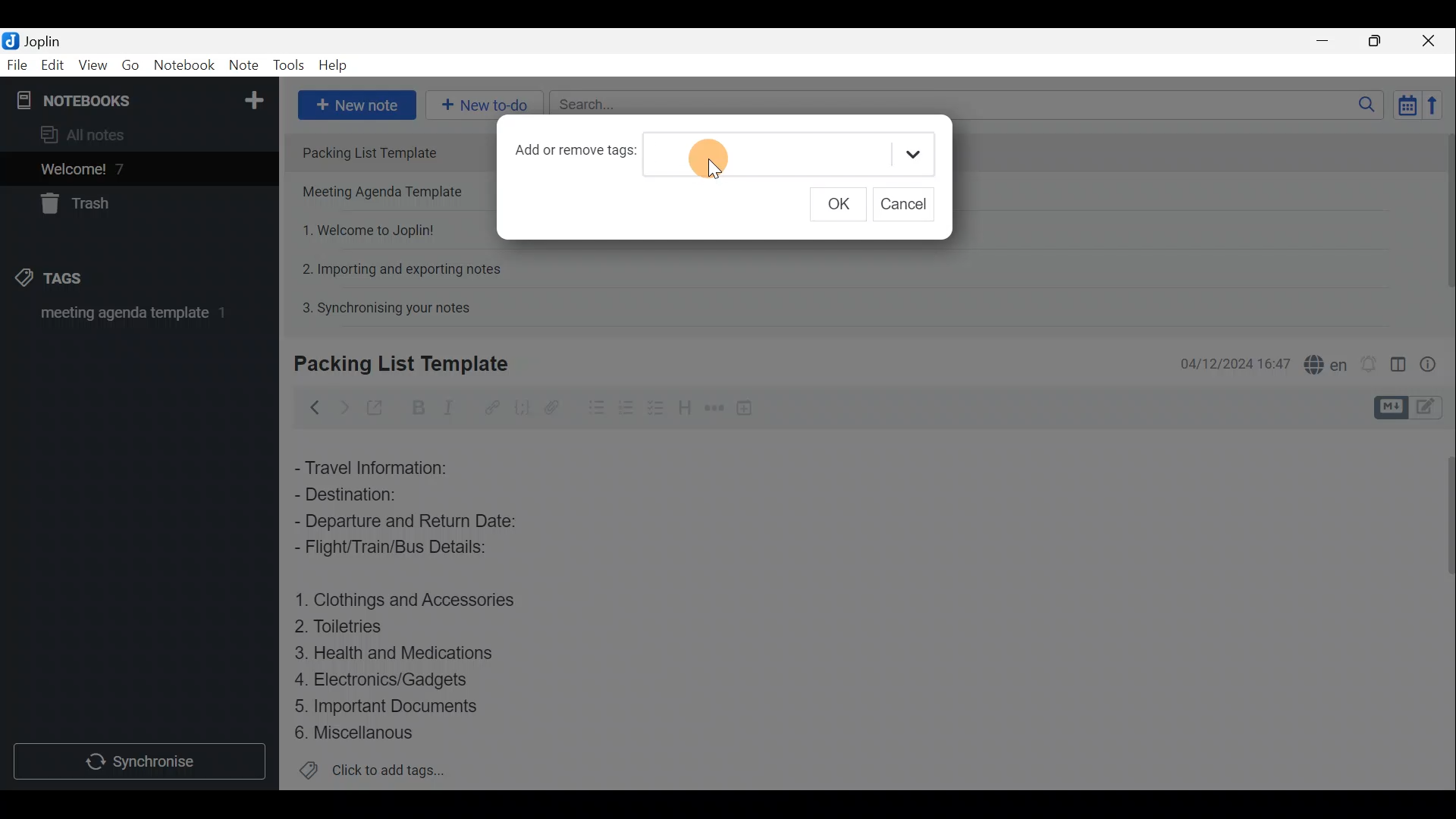 Image resolution: width=1456 pixels, height=819 pixels. What do you see at coordinates (1442, 607) in the screenshot?
I see `Scroll bar` at bounding box center [1442, 607].